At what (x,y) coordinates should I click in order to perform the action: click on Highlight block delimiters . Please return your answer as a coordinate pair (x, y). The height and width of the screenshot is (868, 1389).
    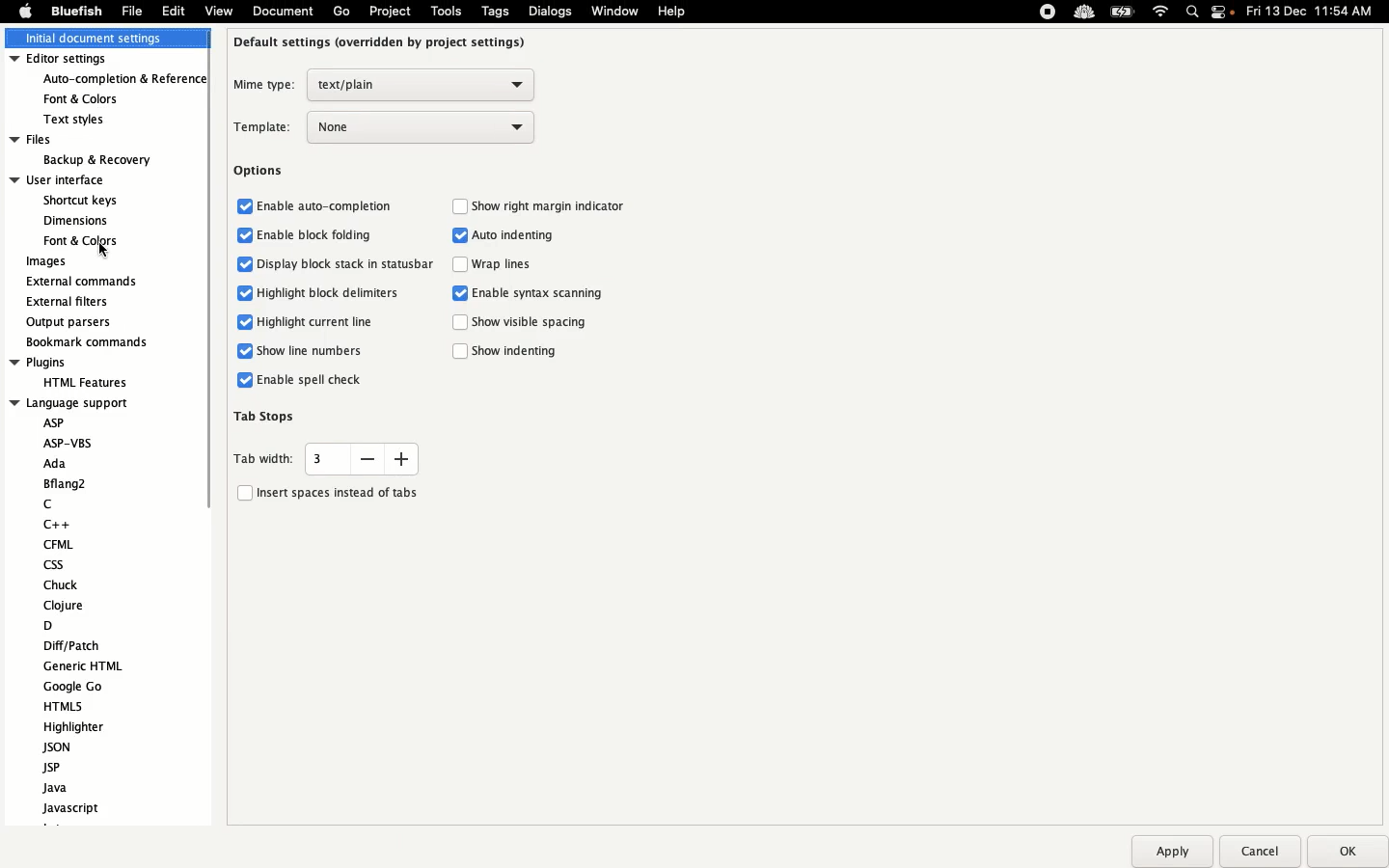
    Looking at the image, I should click on (316, 291).